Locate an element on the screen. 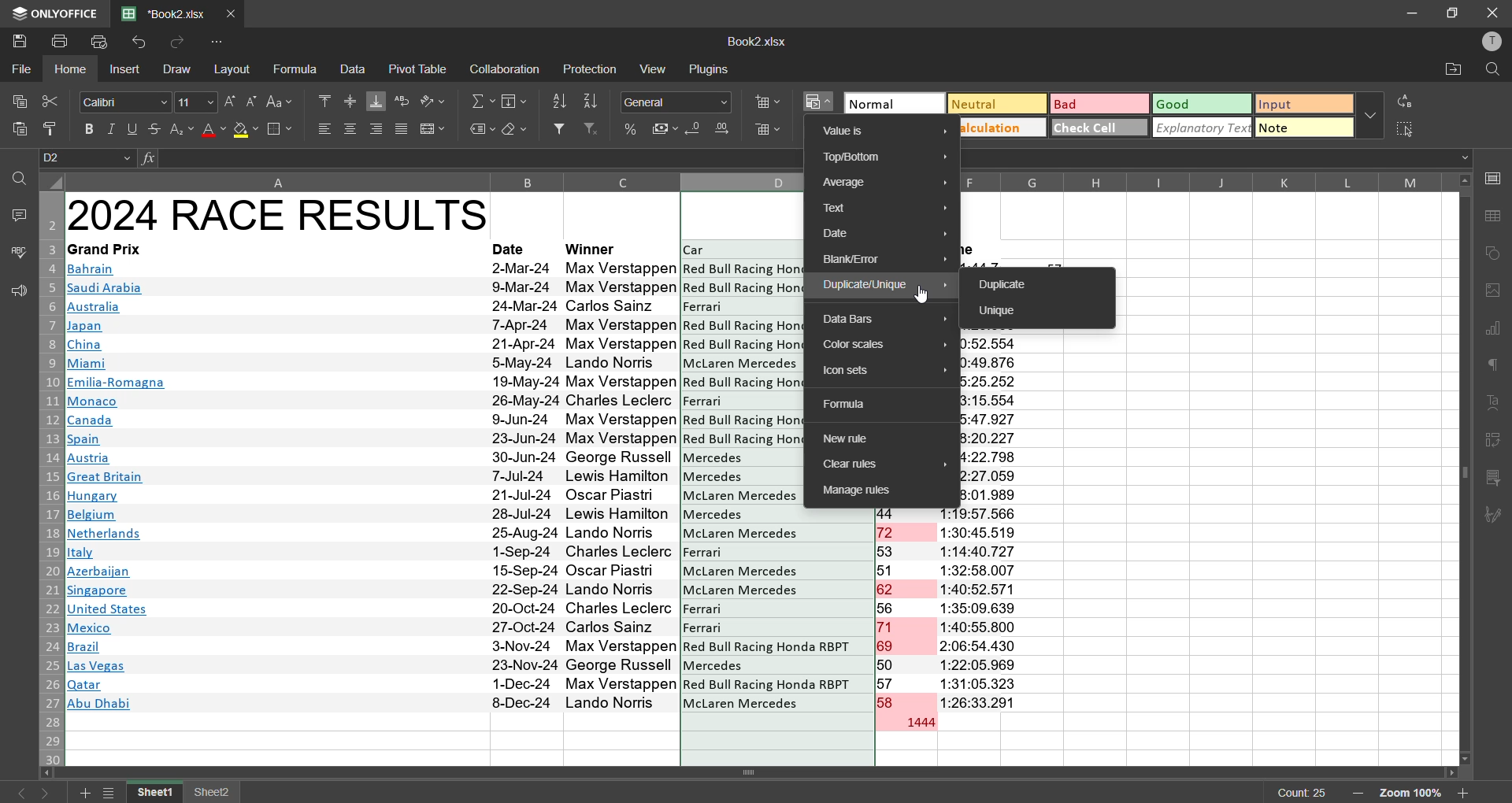 This screenshot has width=1512, height=803. view is located at coordinates (656, 68).